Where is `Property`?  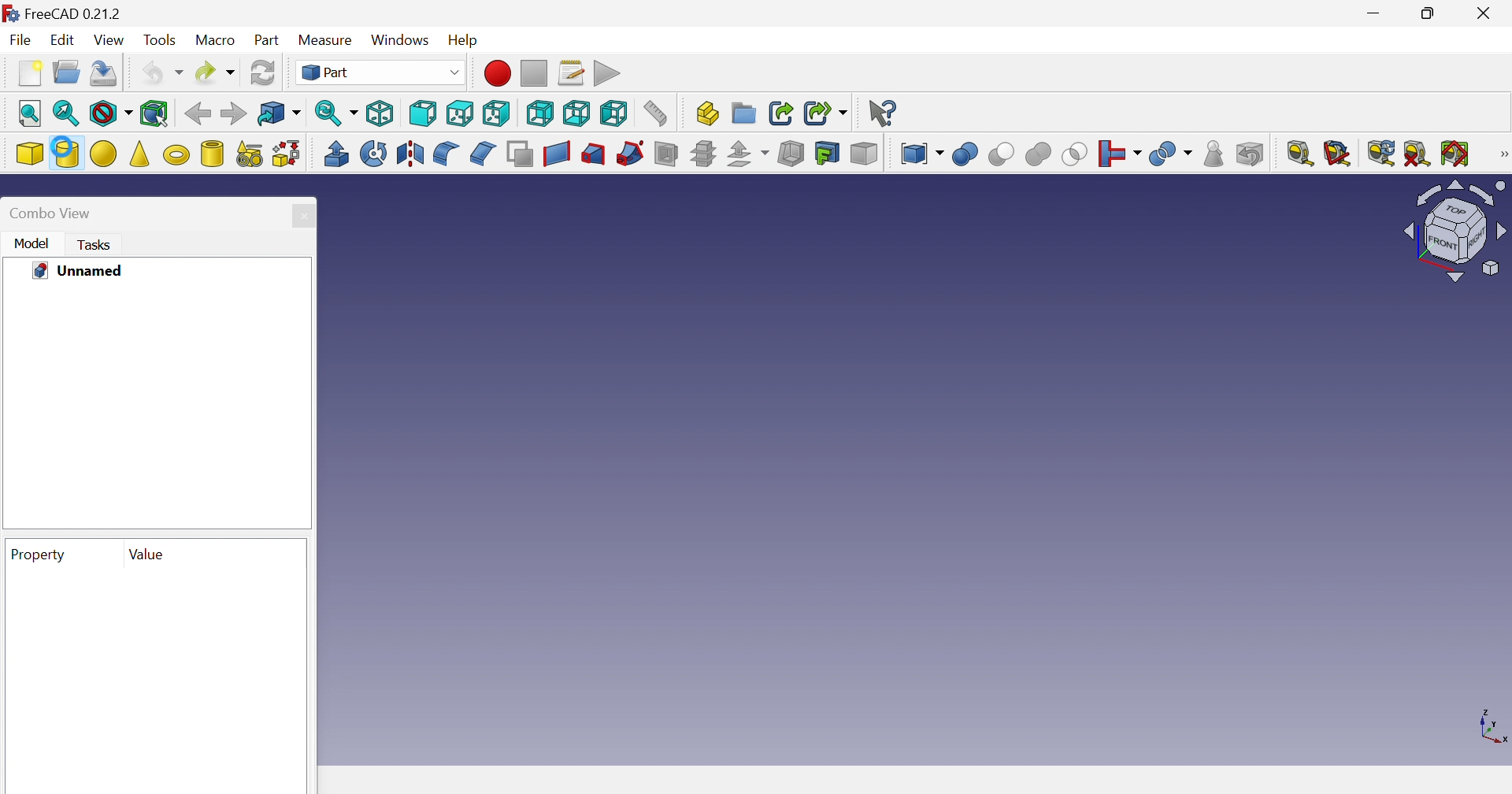 Property is located at coordinates (39, 555).